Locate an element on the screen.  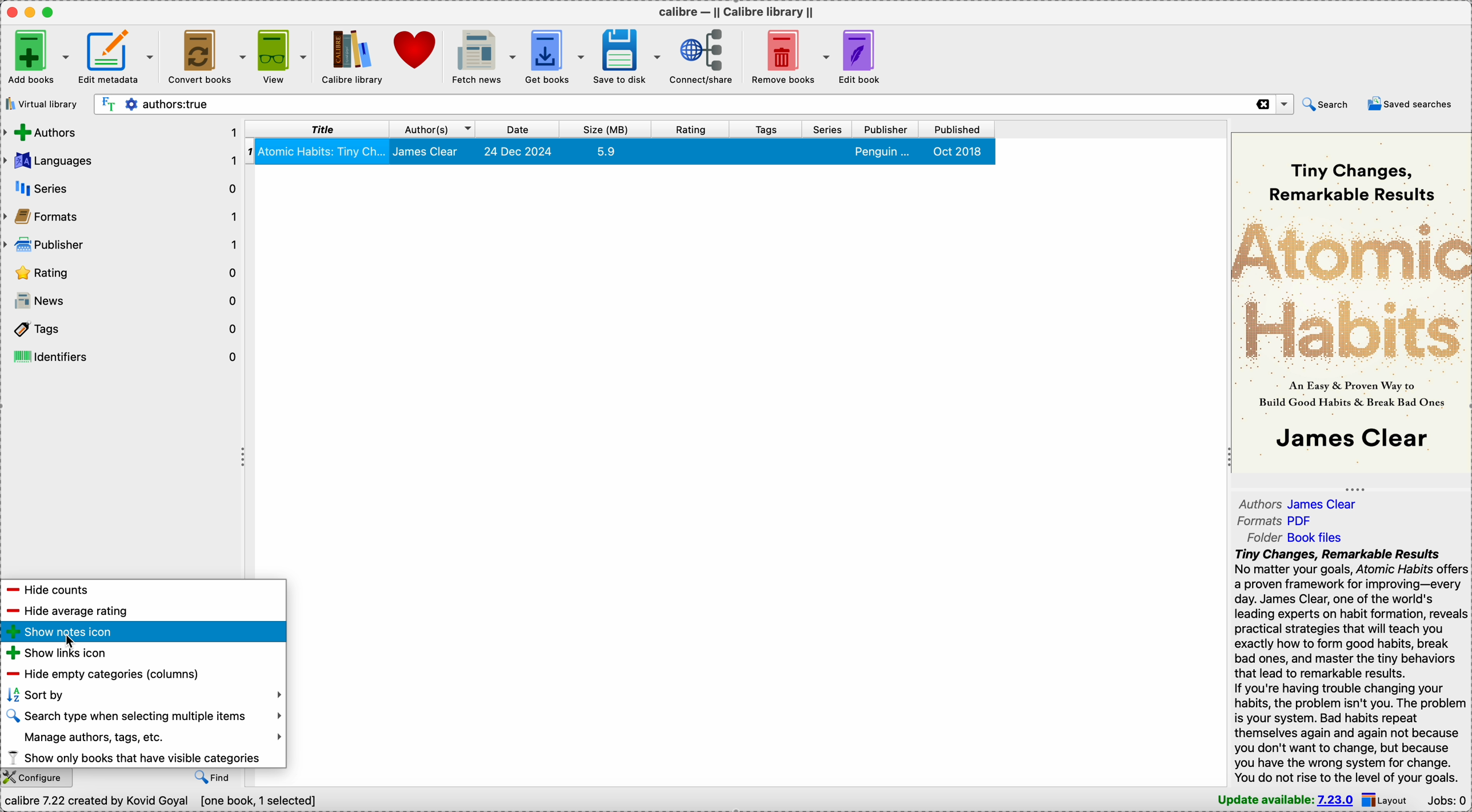
james clear is located at coordinates (430, 152).